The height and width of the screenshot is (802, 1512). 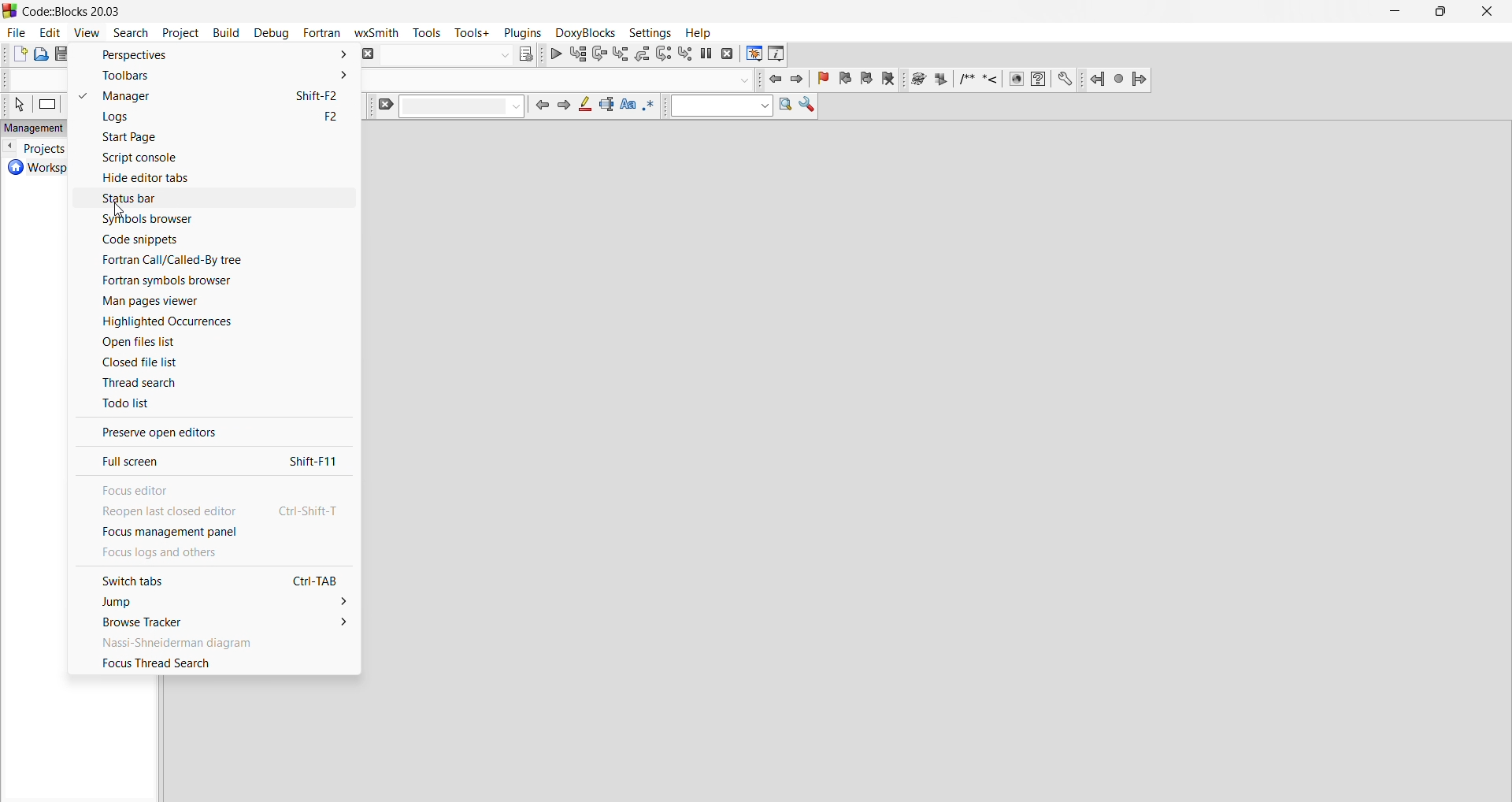 What do you see at coordinates (607, 107) in the screenshot?
I see `selected text` at bounding box center [607, 107].